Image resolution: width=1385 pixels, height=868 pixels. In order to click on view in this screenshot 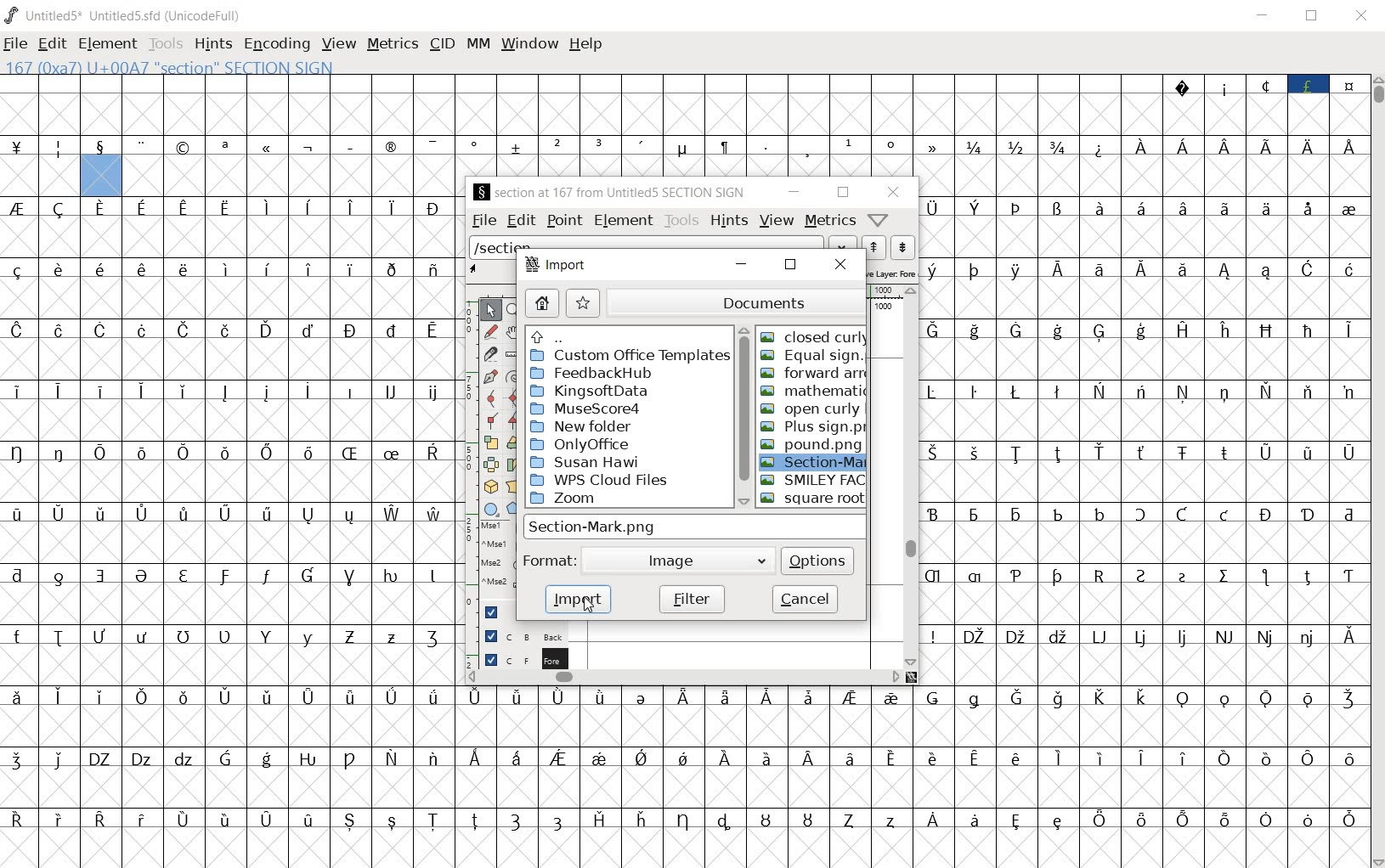, I will do `click(778, 222)`.